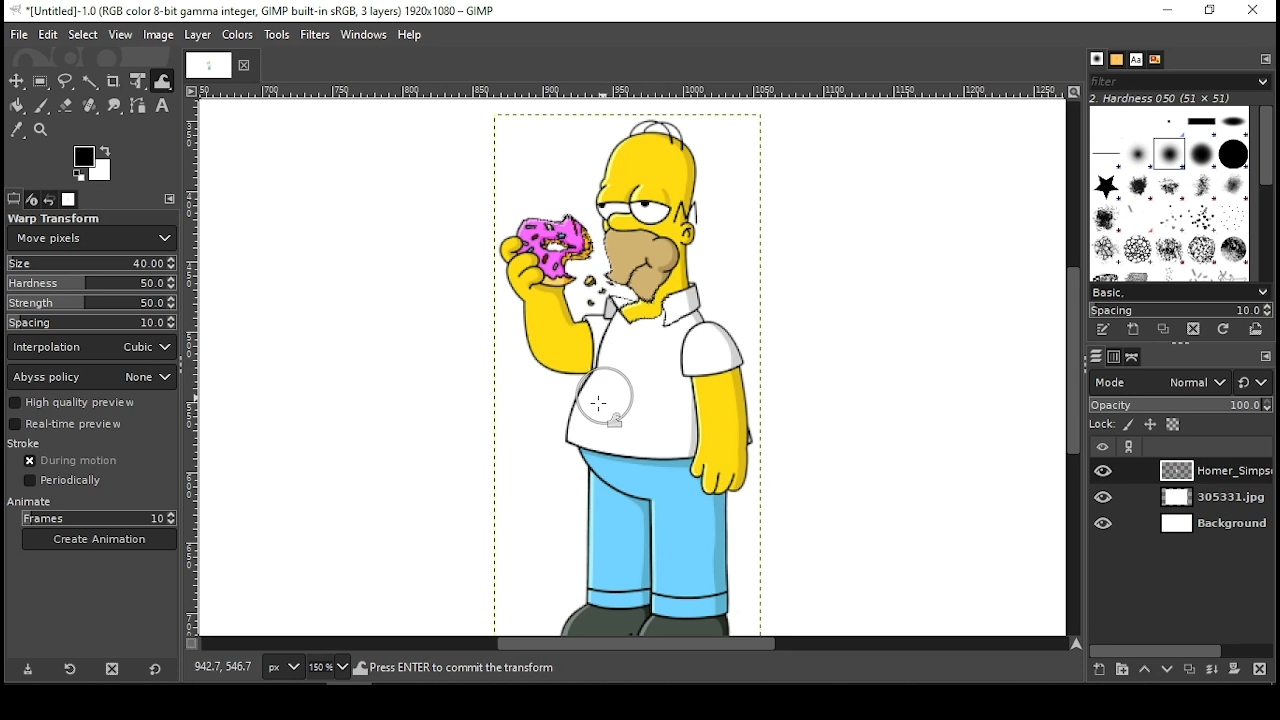 Image resolution: width=1280 pixels, height=720 pixels. I want to click on opacity, so click(1180, 405).